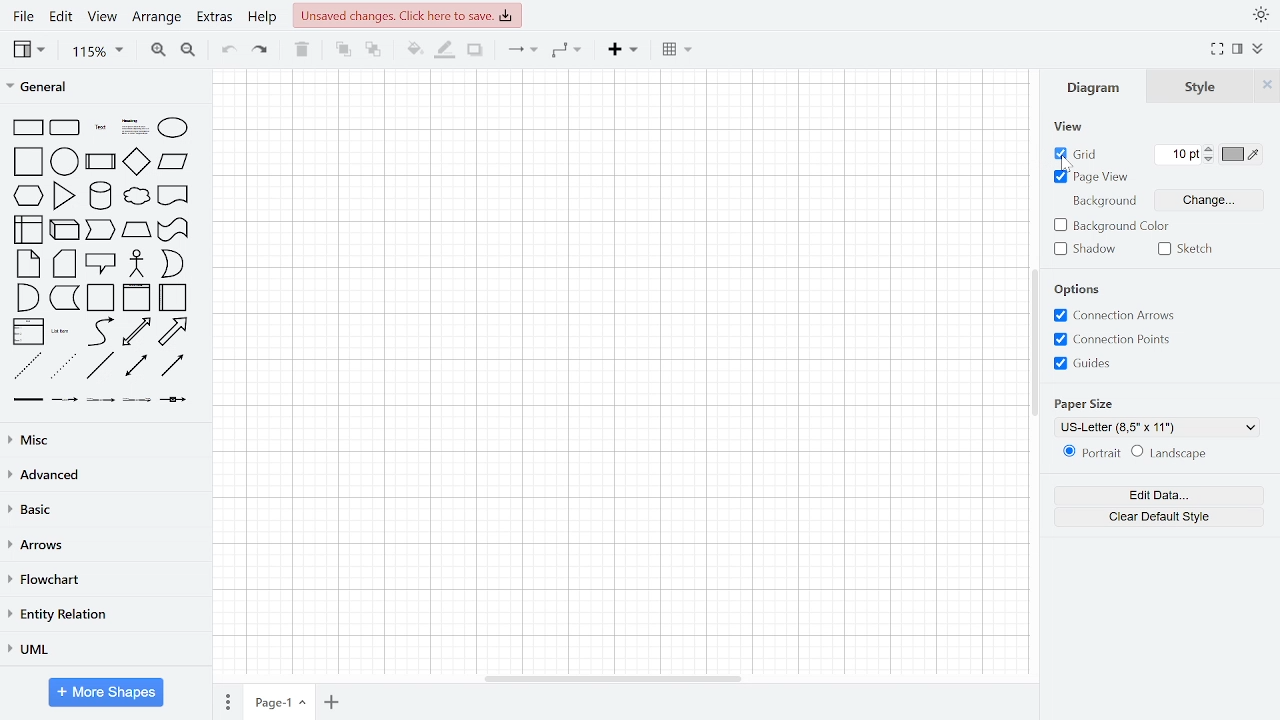 The image size is (1280, 720). What do you see at coordinates (29, 399) in the screenshot?
I see `link` at bounding box center [29, 399].